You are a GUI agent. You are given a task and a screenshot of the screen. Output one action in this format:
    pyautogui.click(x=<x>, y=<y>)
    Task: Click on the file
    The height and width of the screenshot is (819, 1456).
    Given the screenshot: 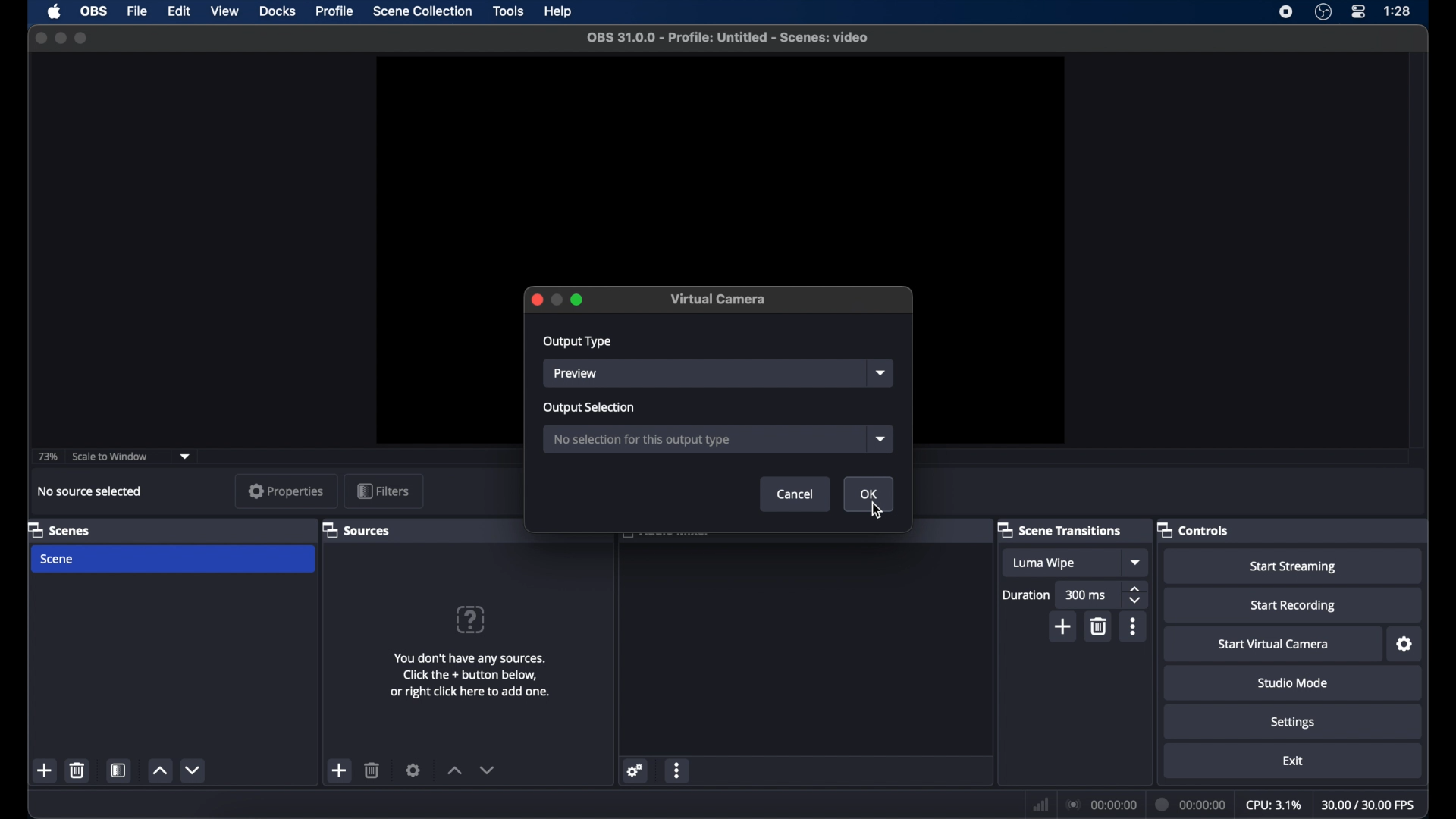 What is the action you would take?
    pyautogui.click(x=136, y=12)
    